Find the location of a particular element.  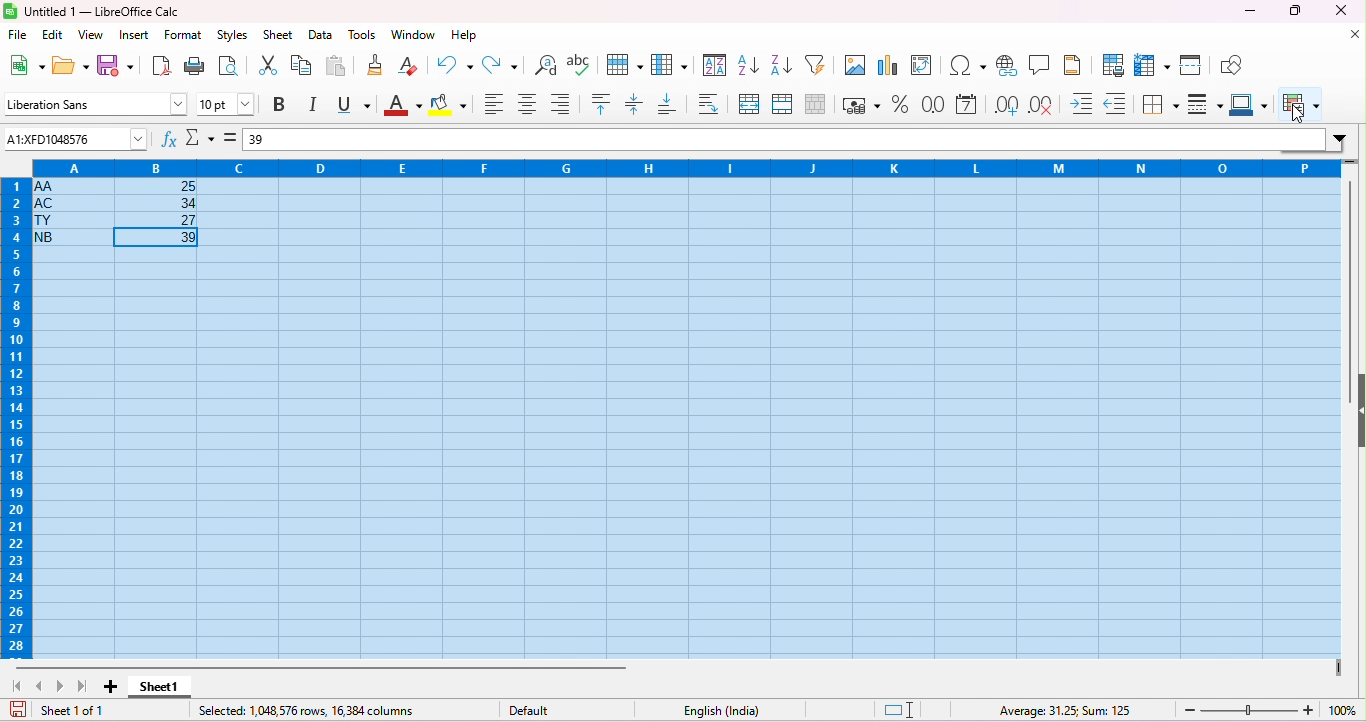

insert hyperlink is located at coordinates (1007, 65).